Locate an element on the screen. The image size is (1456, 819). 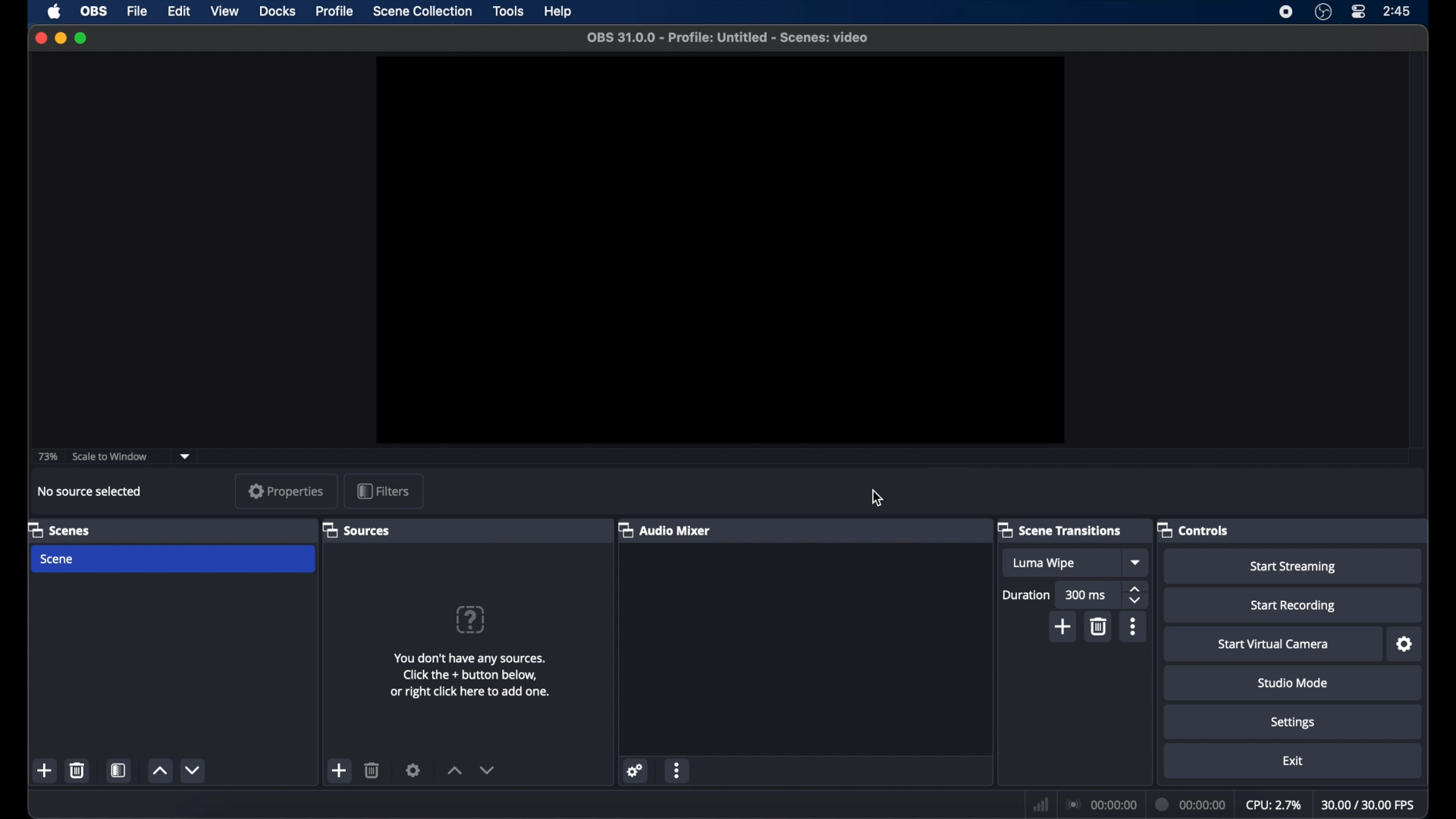
duration is located at coordinates (1191, 804).